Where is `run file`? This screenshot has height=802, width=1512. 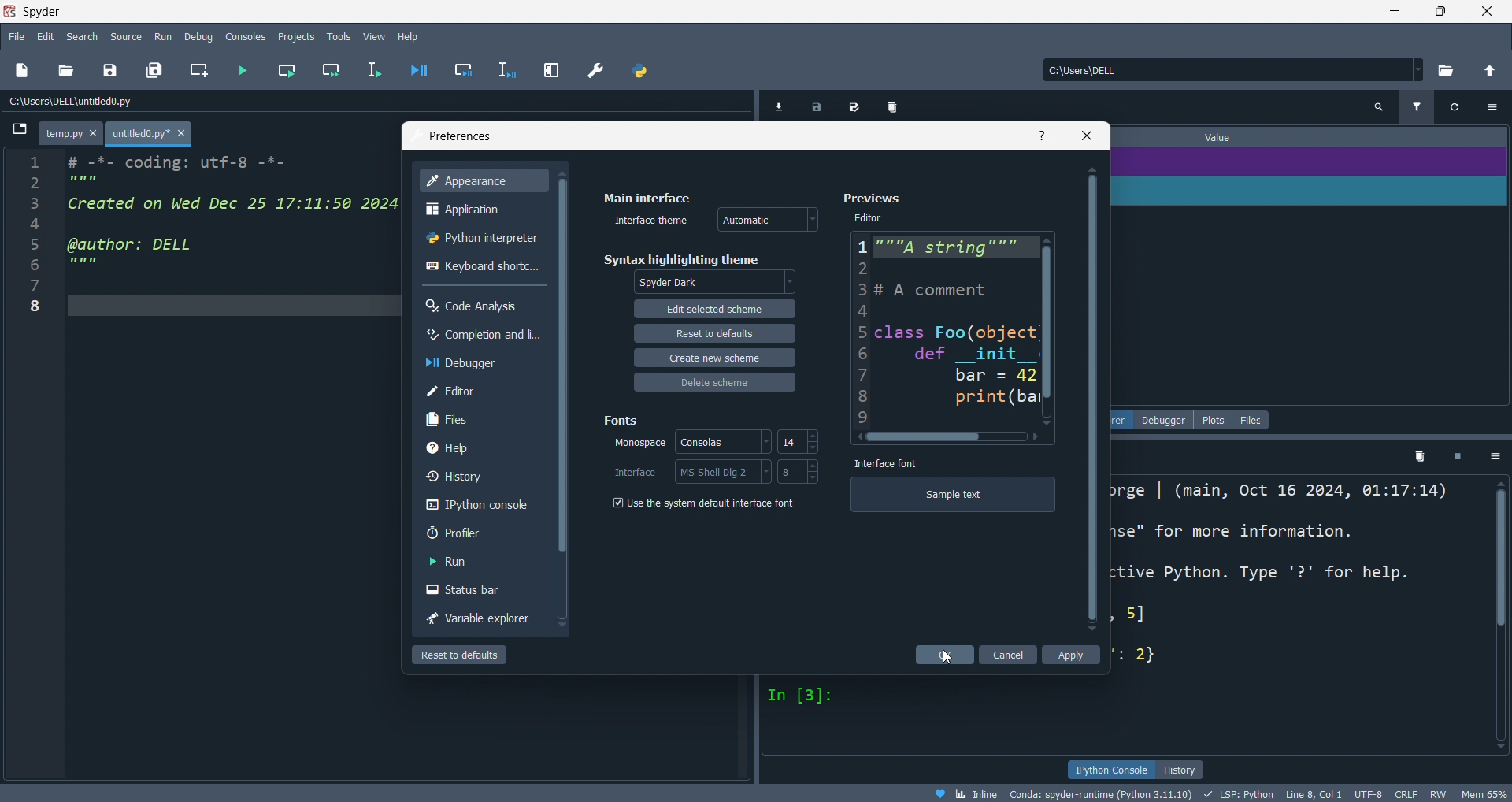 run file is located at coordinates (248, 70).